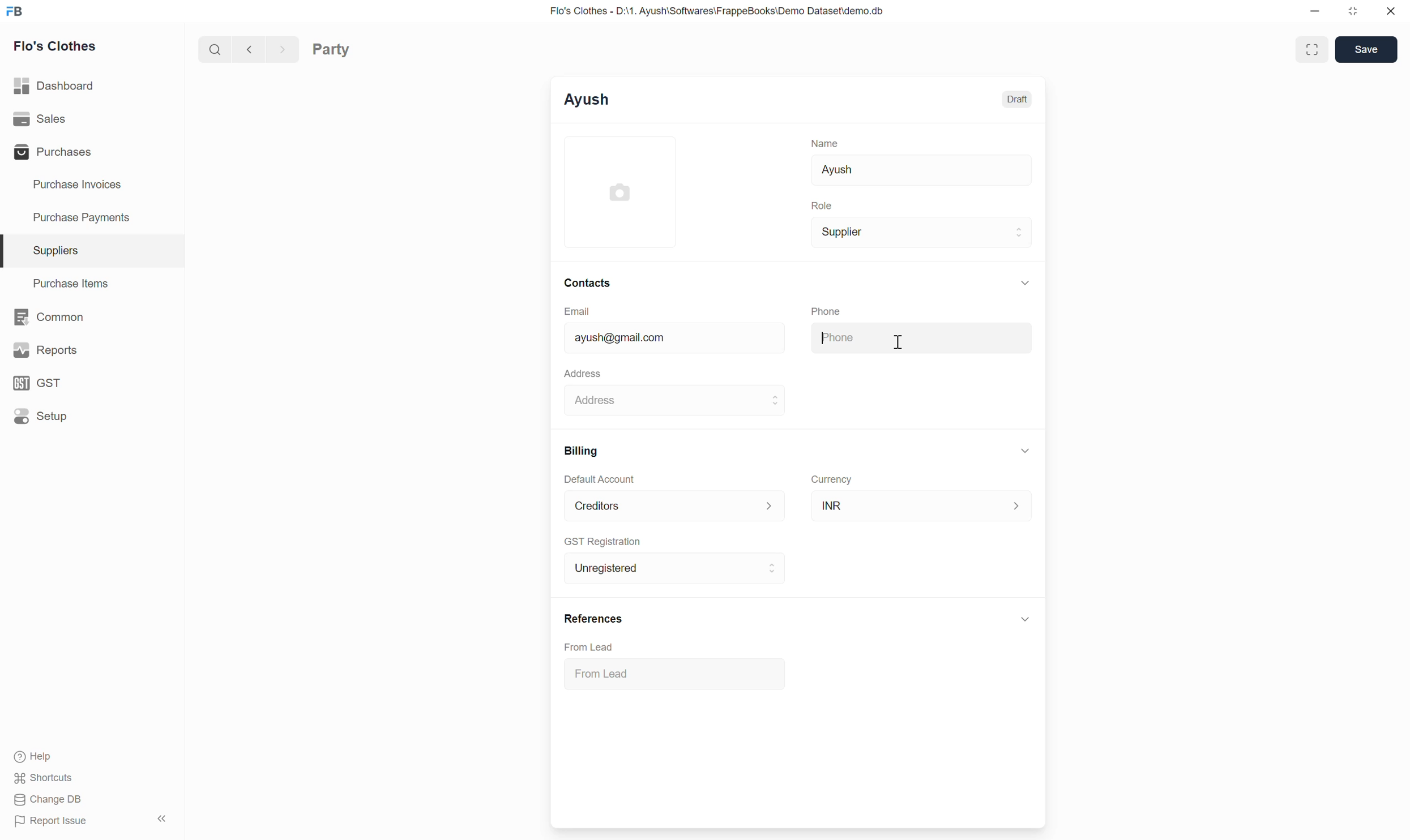  What do you see at coordinates (921, 338) in the screenshot?
I see `Phone` at bounding box center [921, 338].